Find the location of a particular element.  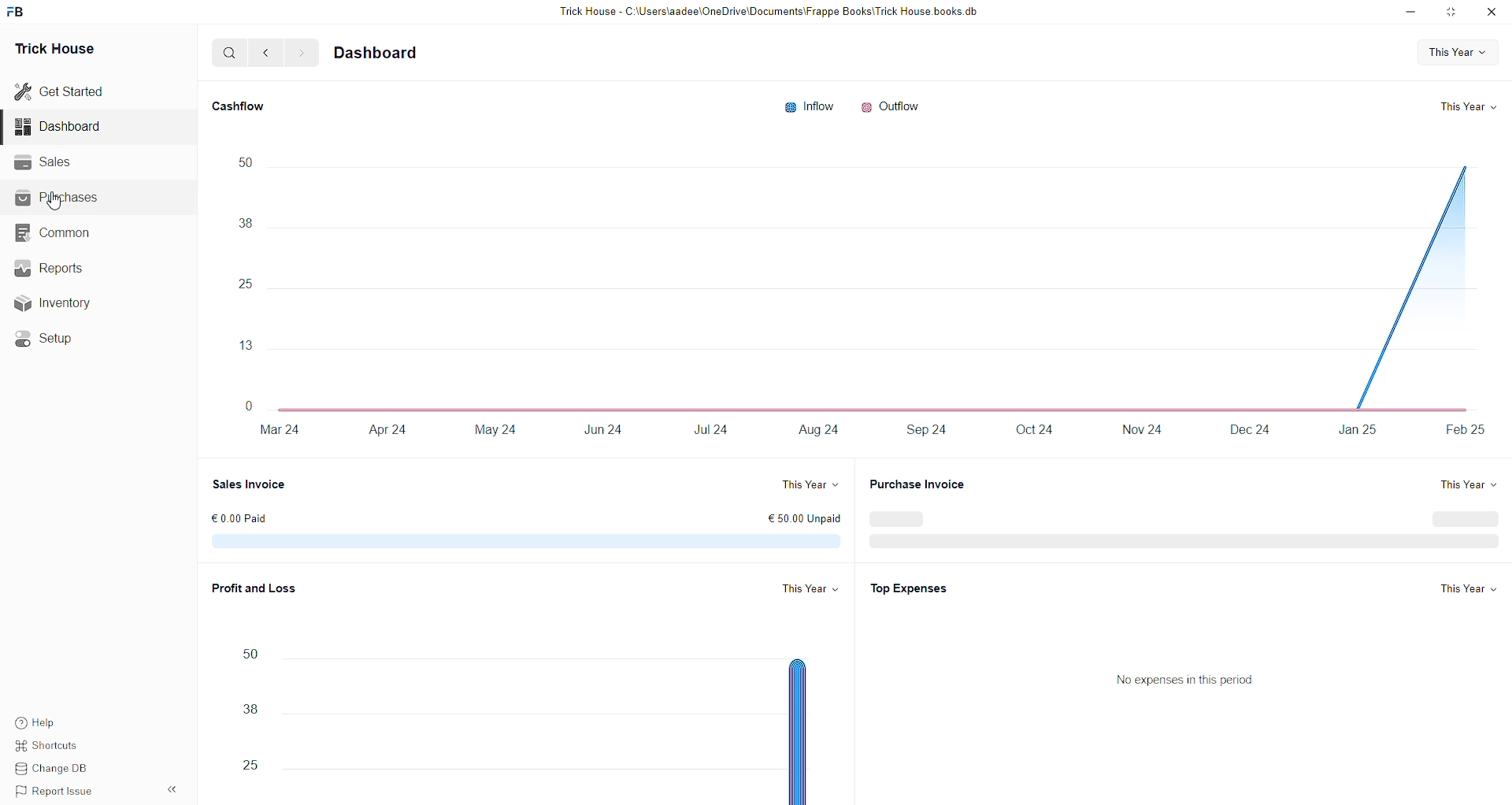

Profit and Loss is located at coordinates (253, 585).